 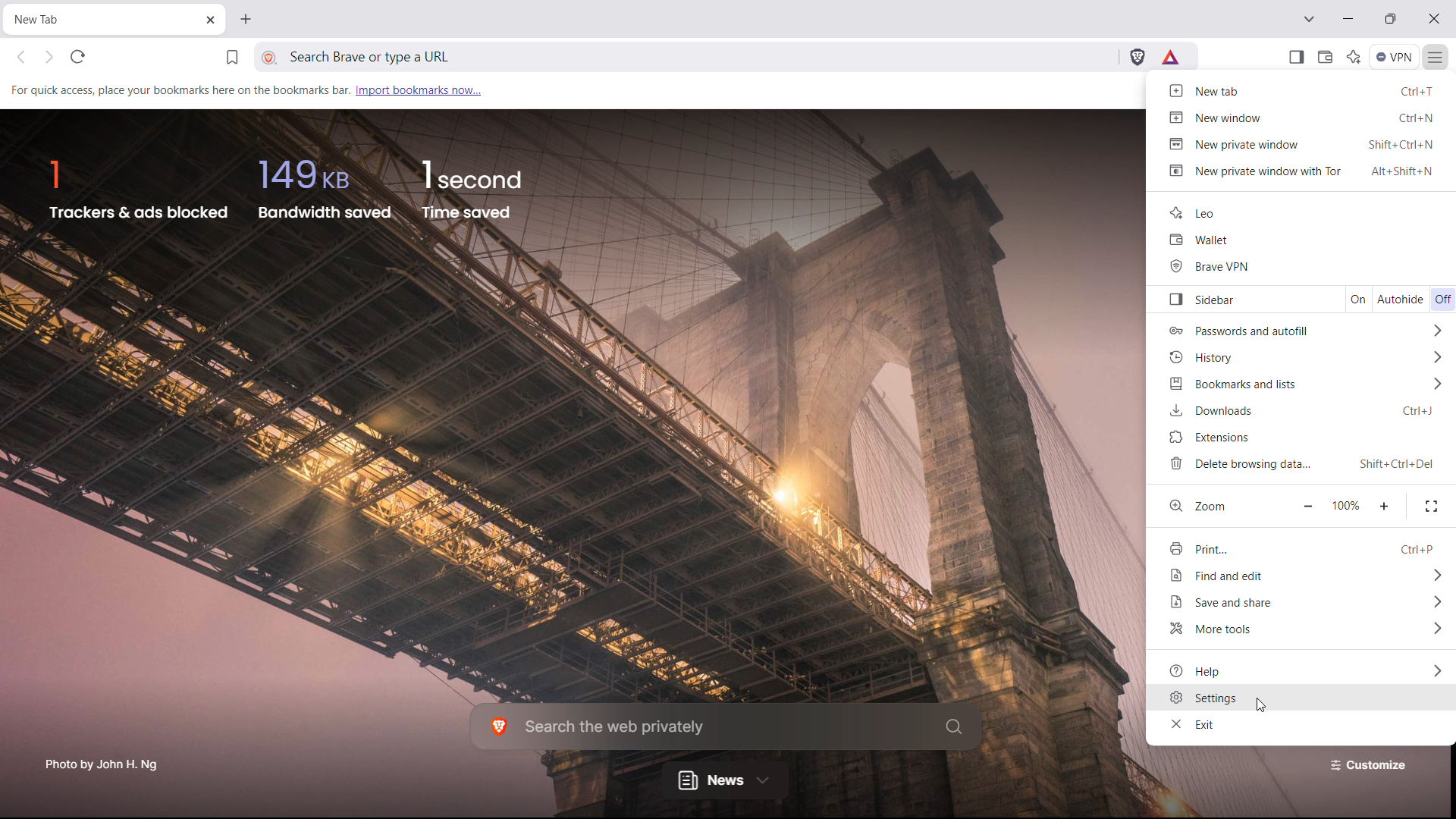 I want to click on Customize, so click(x=1364, y=769).